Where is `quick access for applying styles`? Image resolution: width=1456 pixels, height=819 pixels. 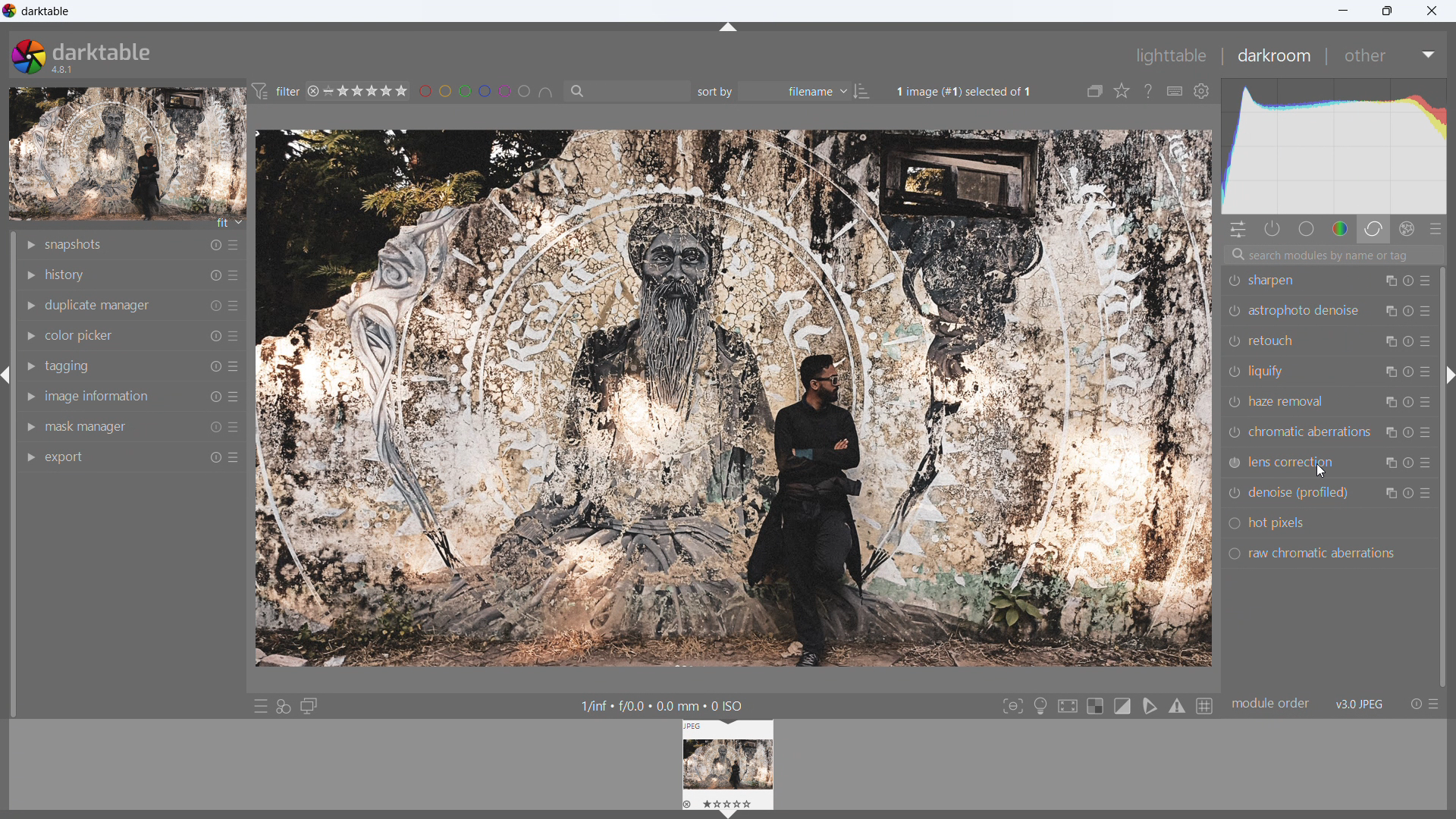 quick access for applying styles is located at coordinates (284, 706).